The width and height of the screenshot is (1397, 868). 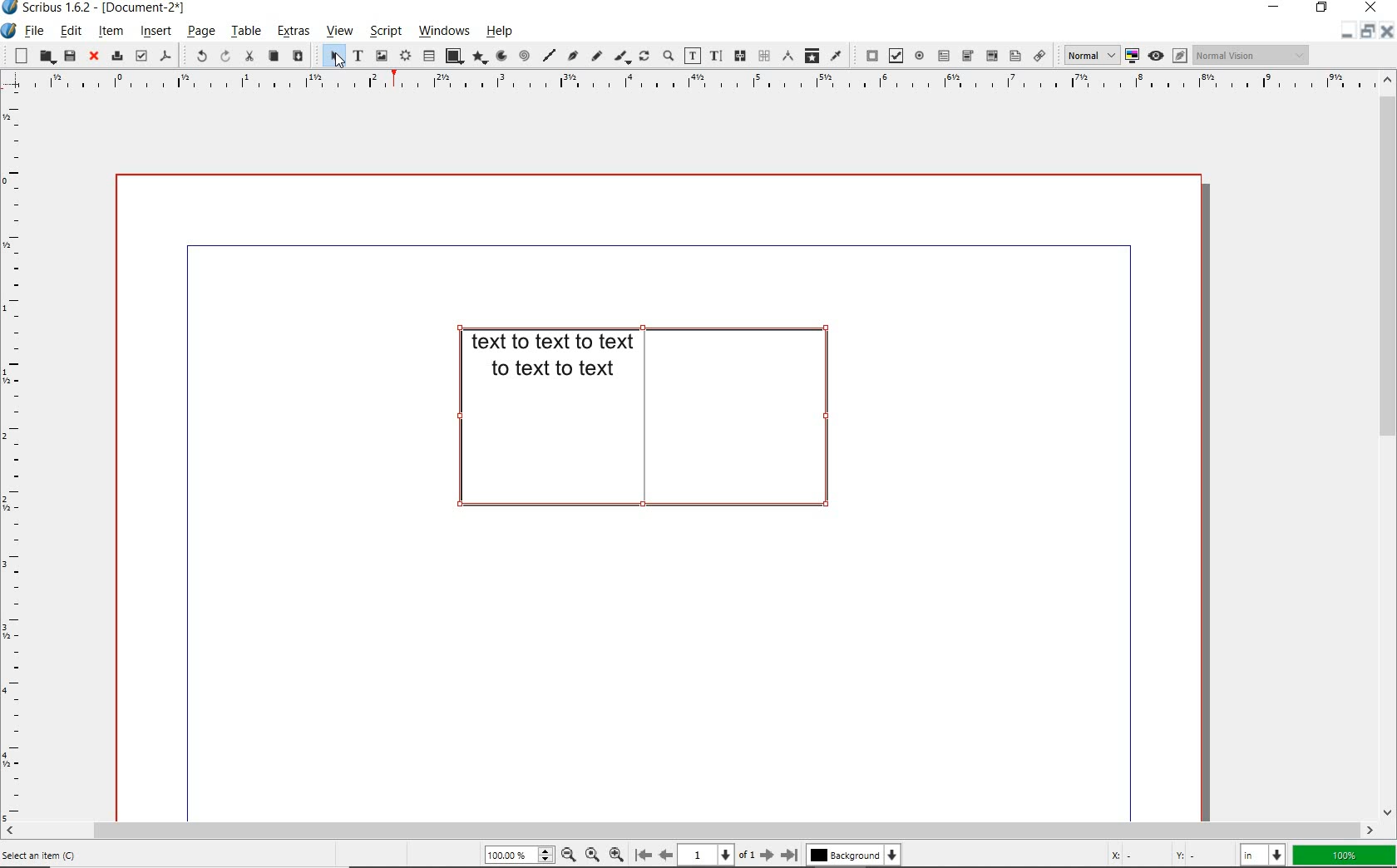 I want to click on shape, so click(x=451, y=57).